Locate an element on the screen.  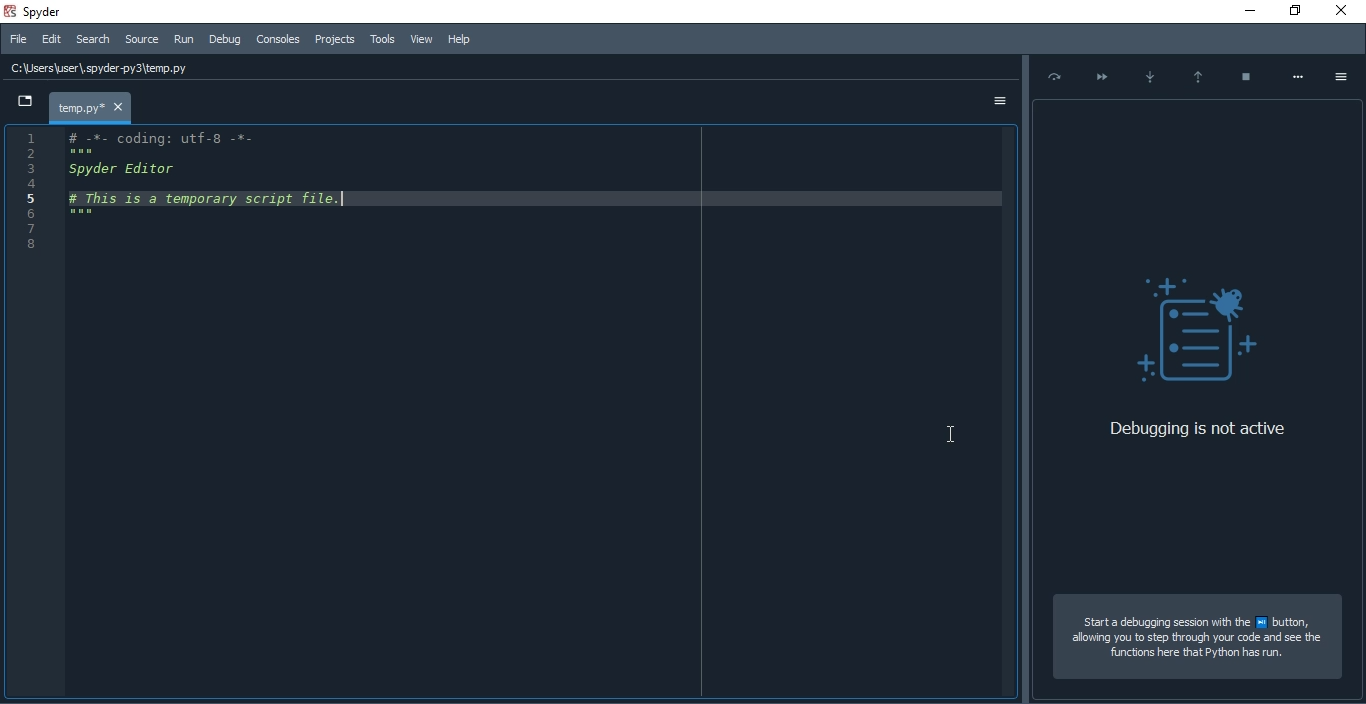
Source is located at coordinates (142, 40).